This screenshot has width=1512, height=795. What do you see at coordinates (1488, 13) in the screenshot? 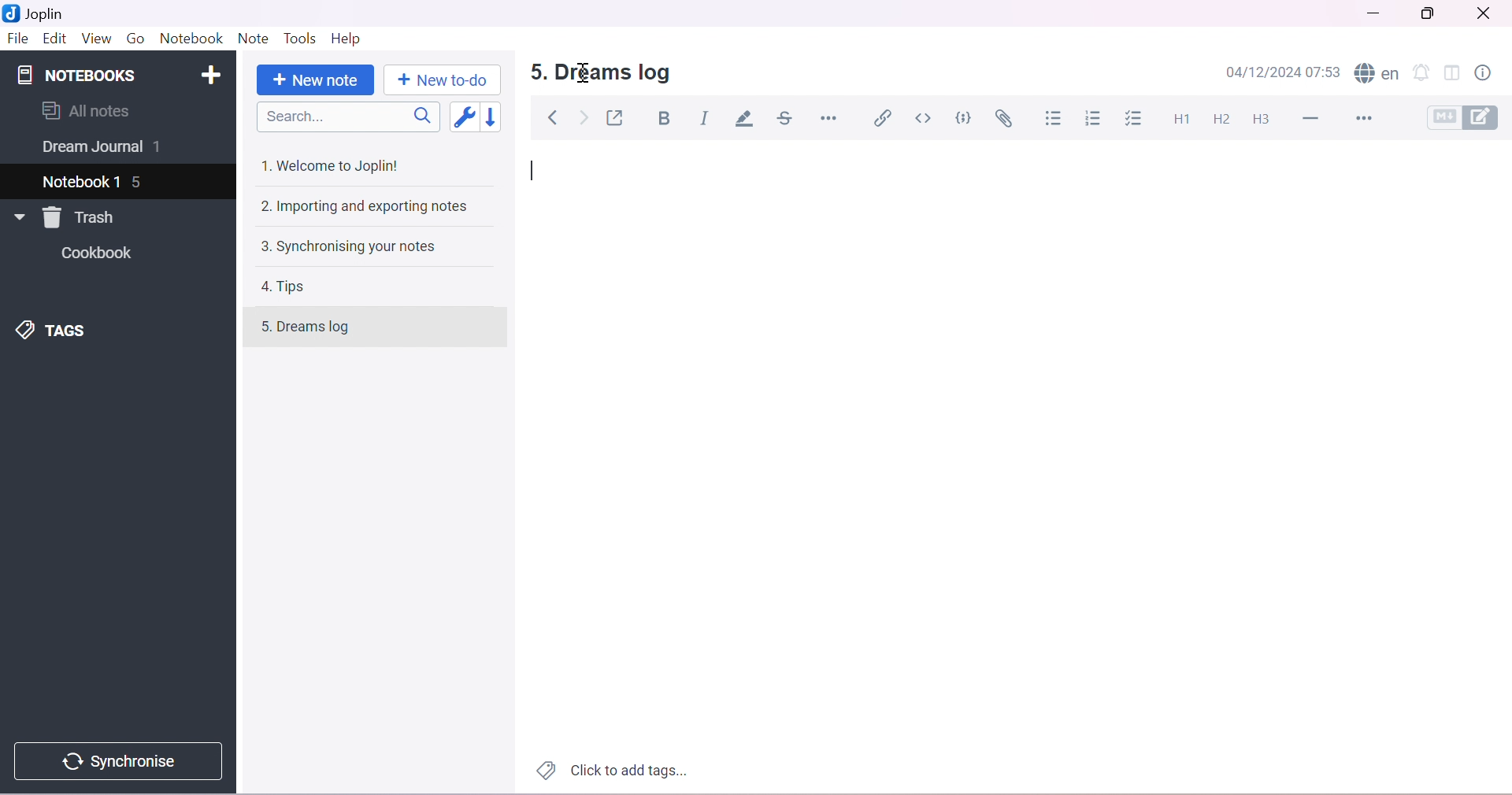
I see `Close` at bounding box center [1488, 13].